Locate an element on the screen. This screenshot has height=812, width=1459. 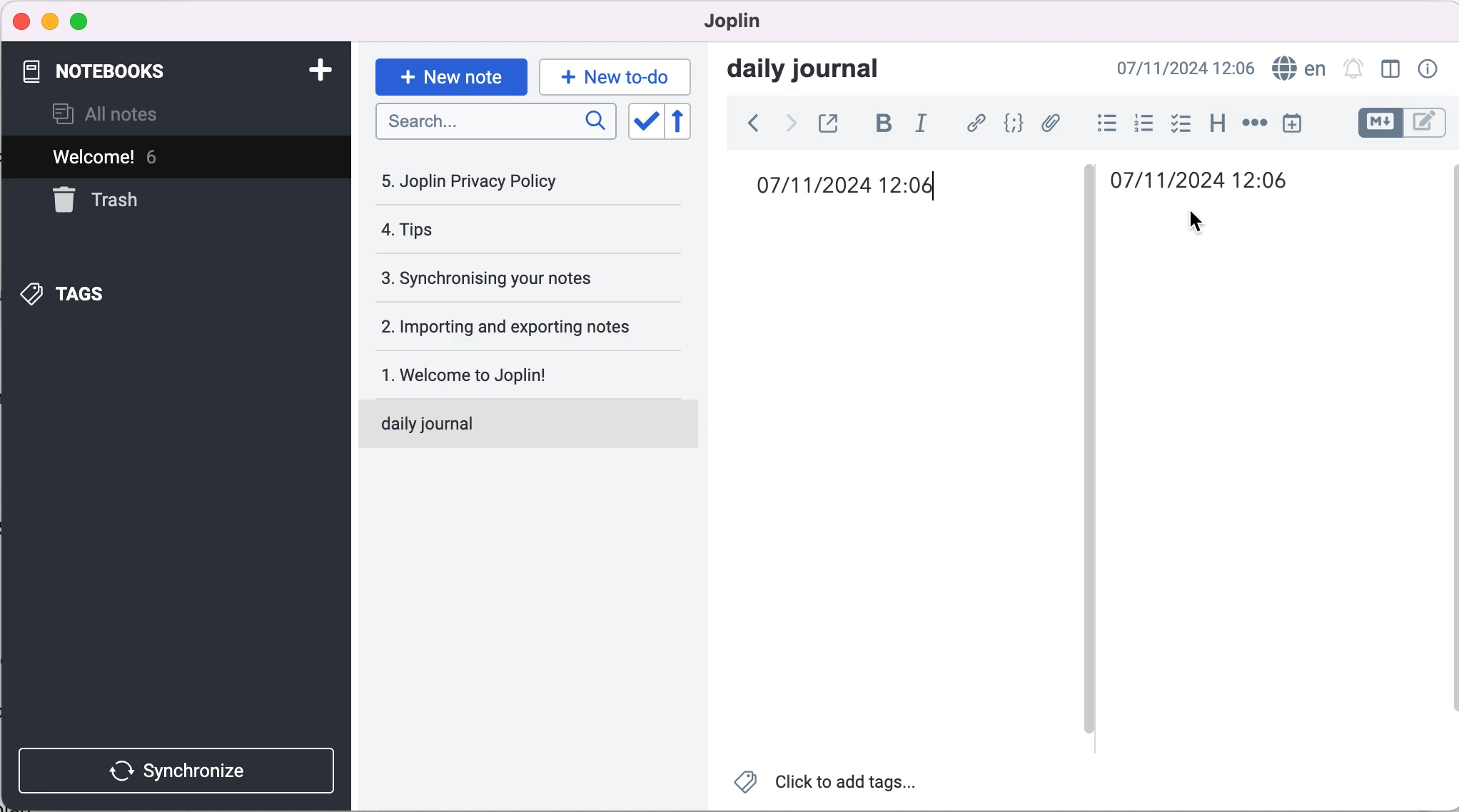
add notebook is located at coordinates (320, 71).